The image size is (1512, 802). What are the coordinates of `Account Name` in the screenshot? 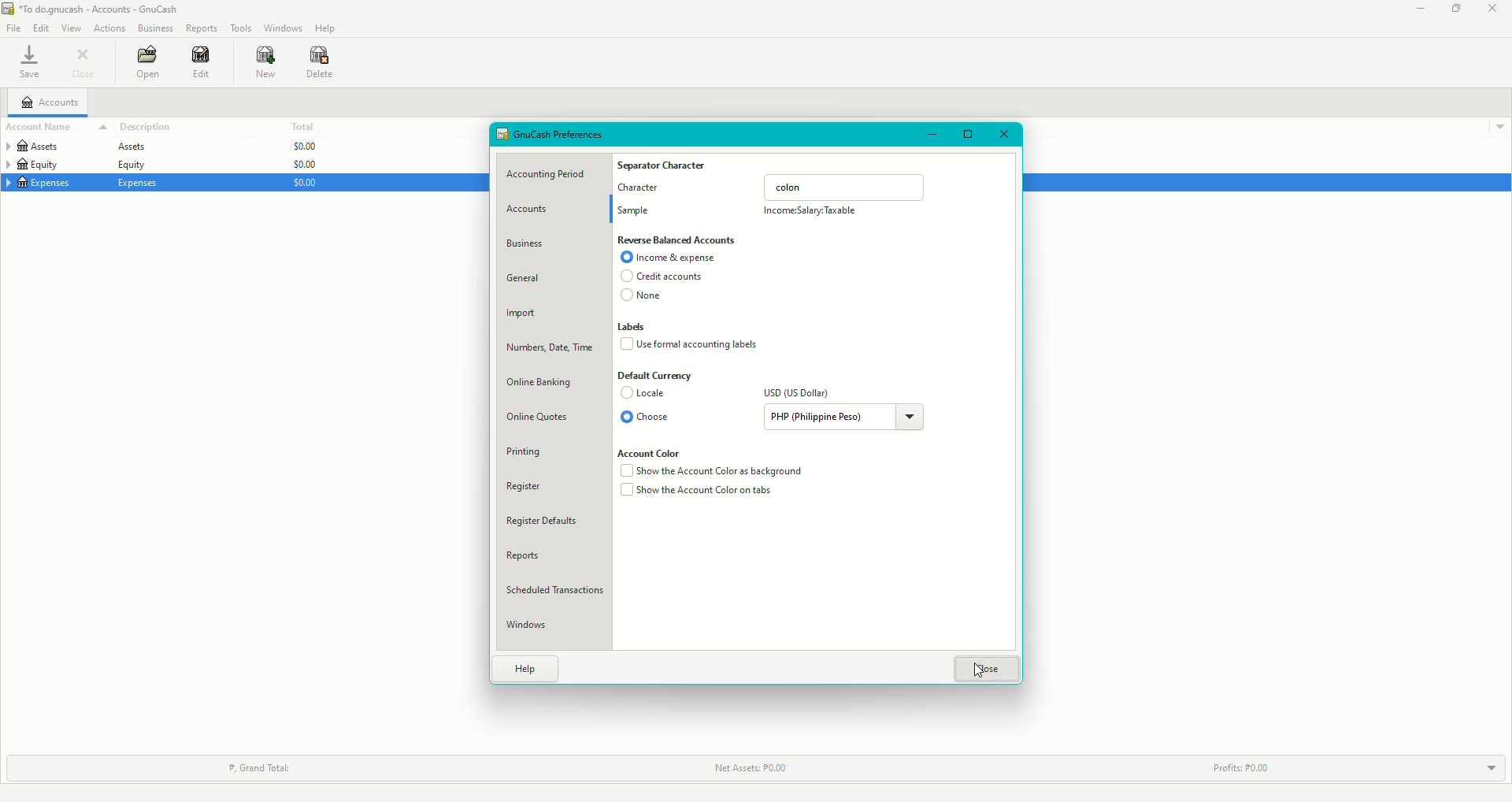 It's located at (56, 128).